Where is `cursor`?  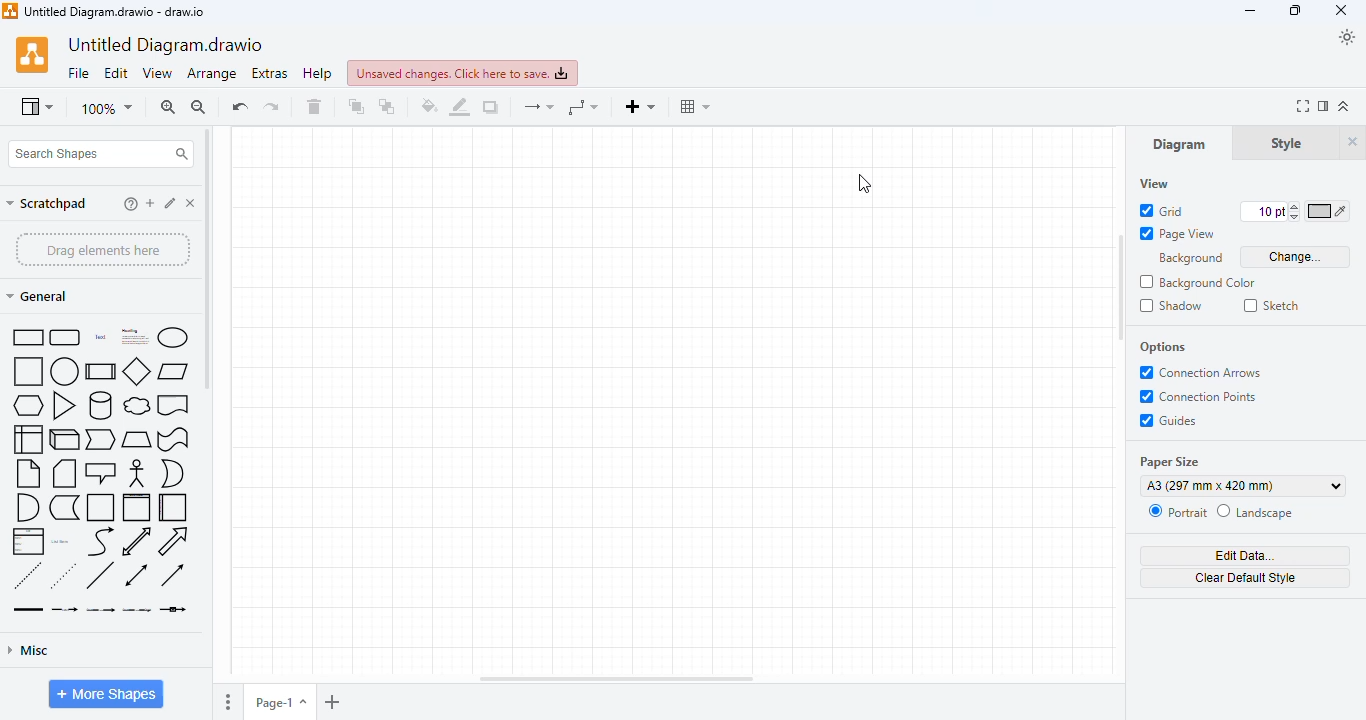
cursor is located at coordinates (865, 184).